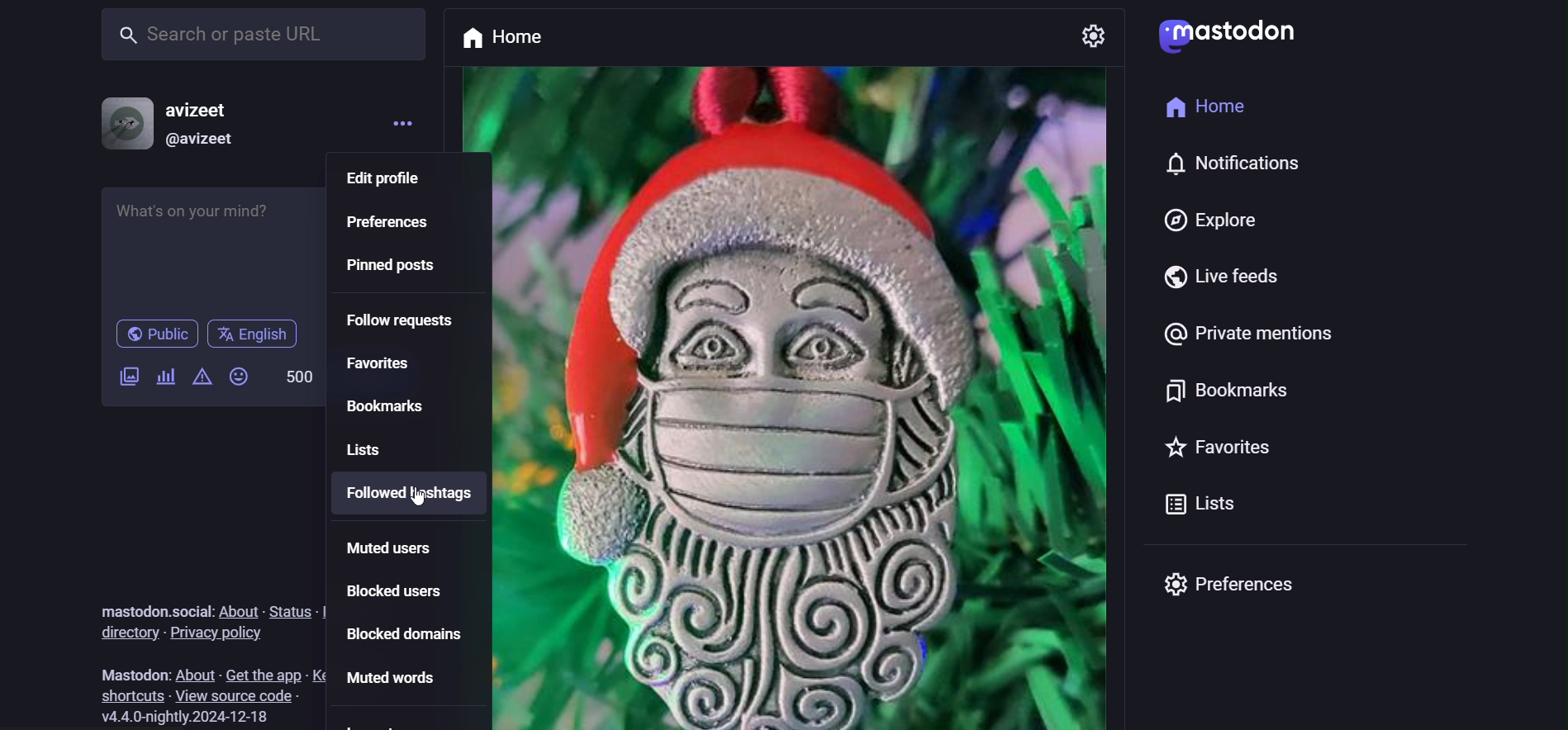 The image size is (1568, 730). I want to click on search or paste URL, so click(257, 36).